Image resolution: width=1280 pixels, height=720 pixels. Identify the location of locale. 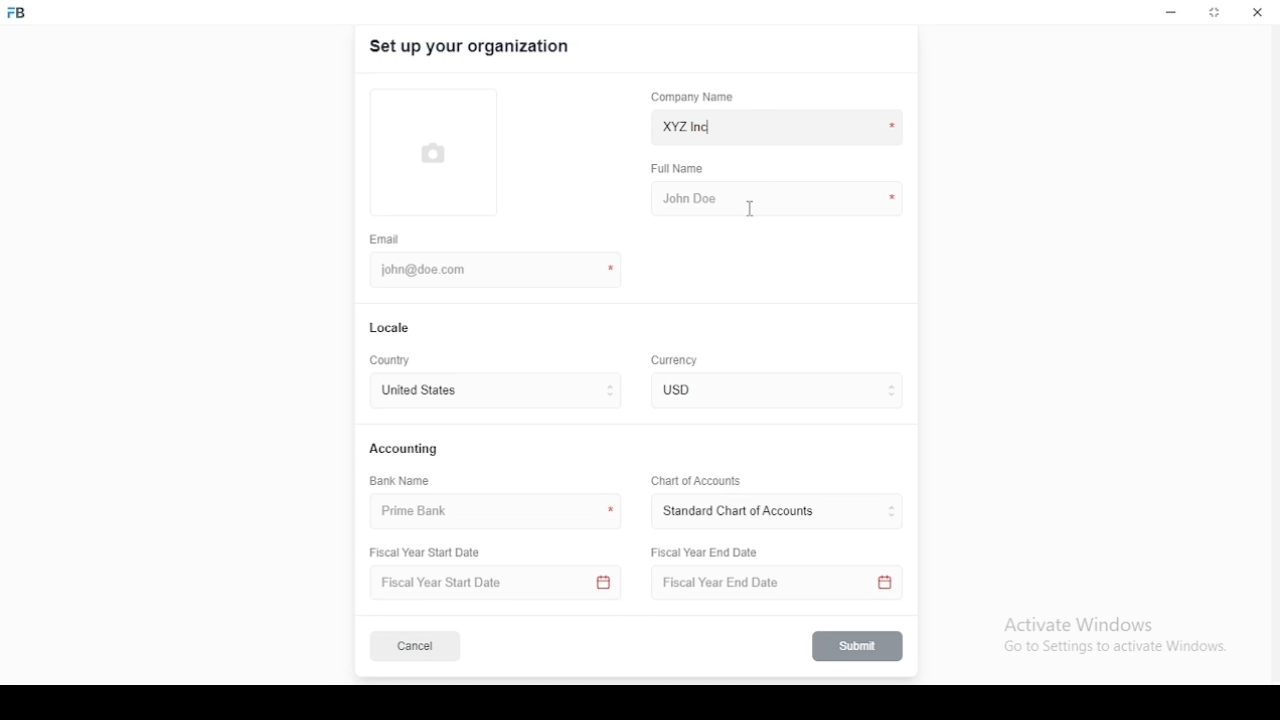
(391, 328).